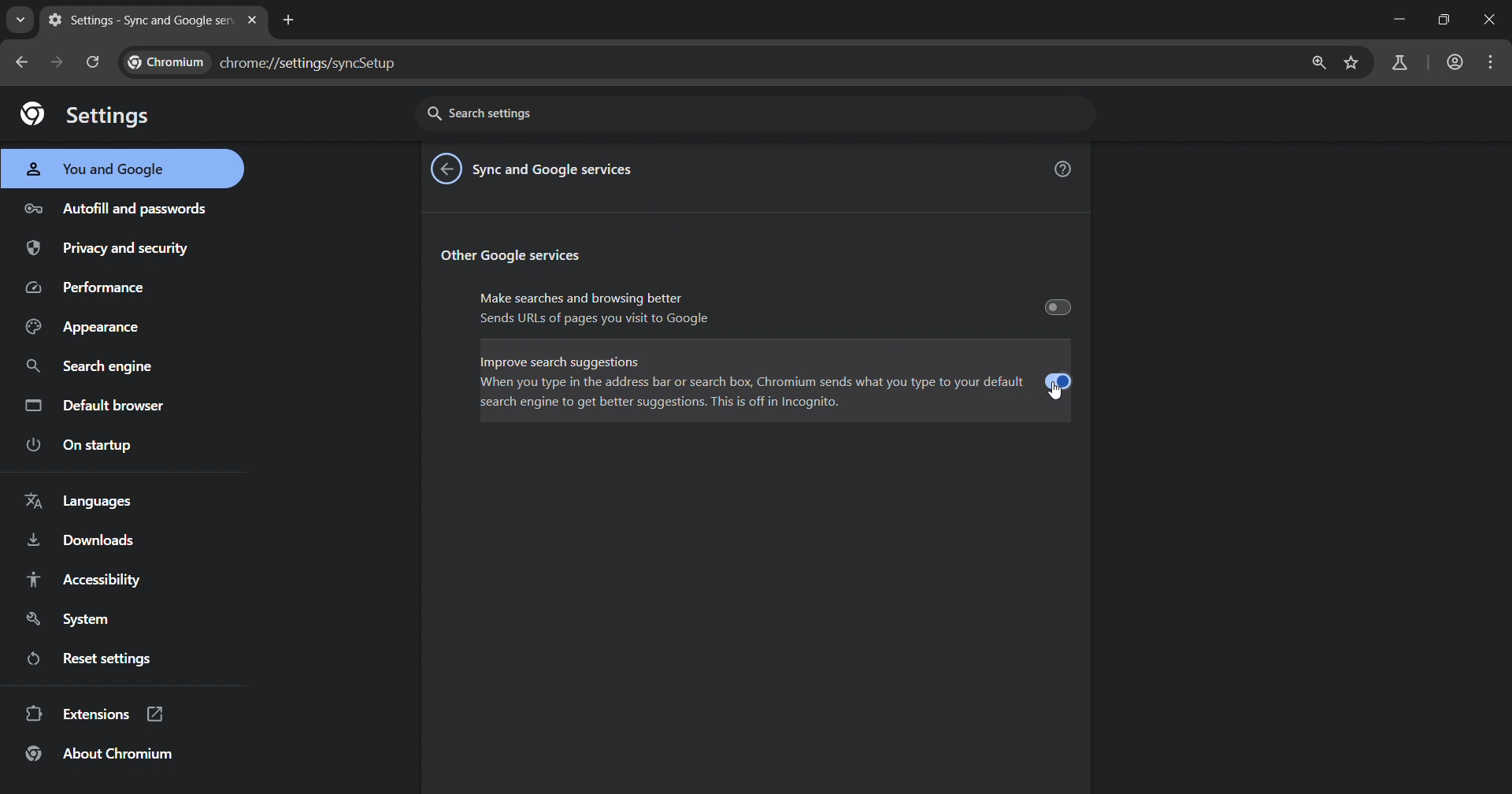  I want to click on new tab, so click(292, 21).